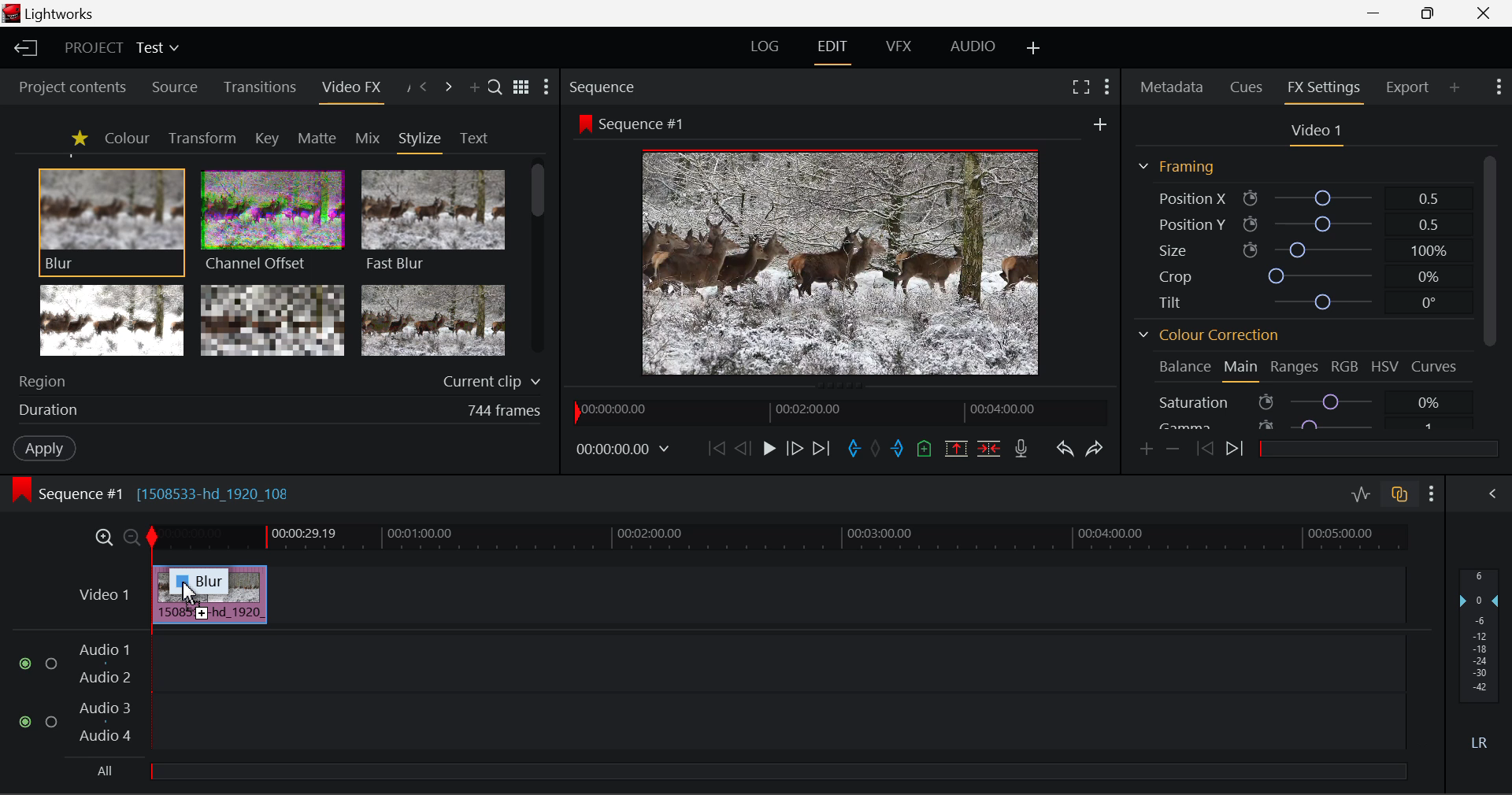 The height and width of the screenshot is (795, 1512). What do you see at coordinates (172, 86) in the screenshot?
I see `Source` at bounding box center [172, 86].